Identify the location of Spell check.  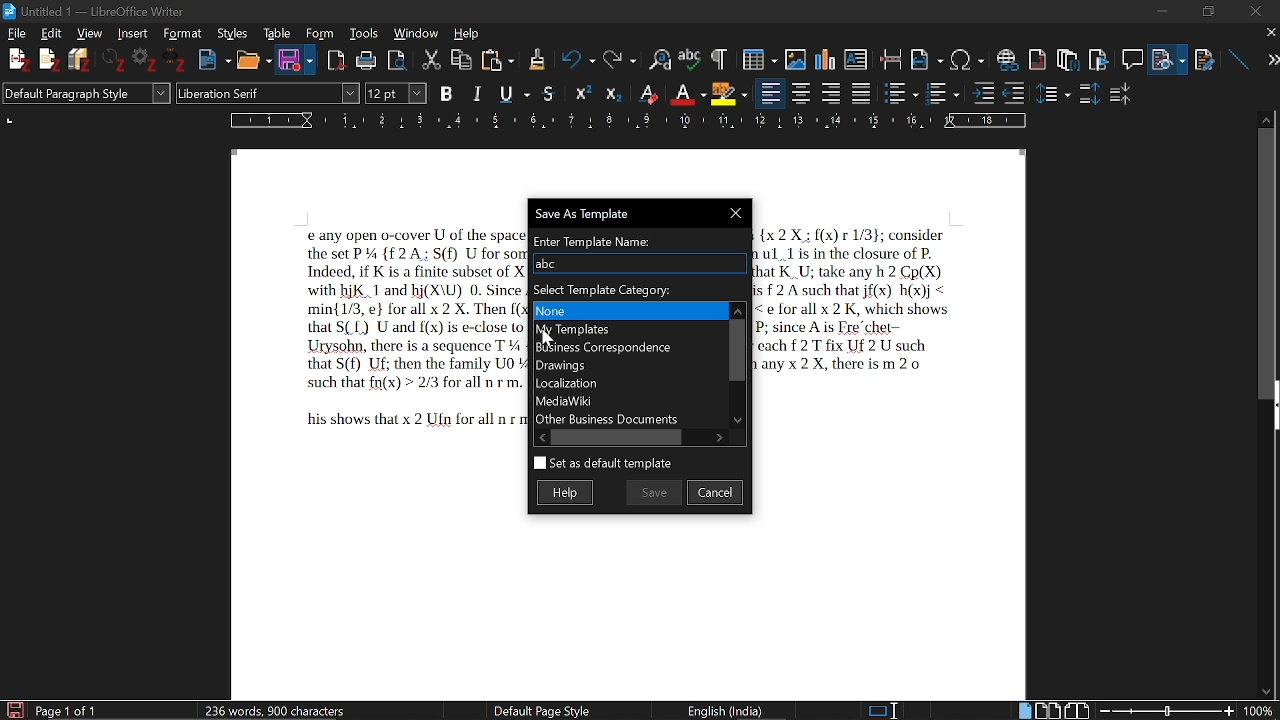
(690, 57).